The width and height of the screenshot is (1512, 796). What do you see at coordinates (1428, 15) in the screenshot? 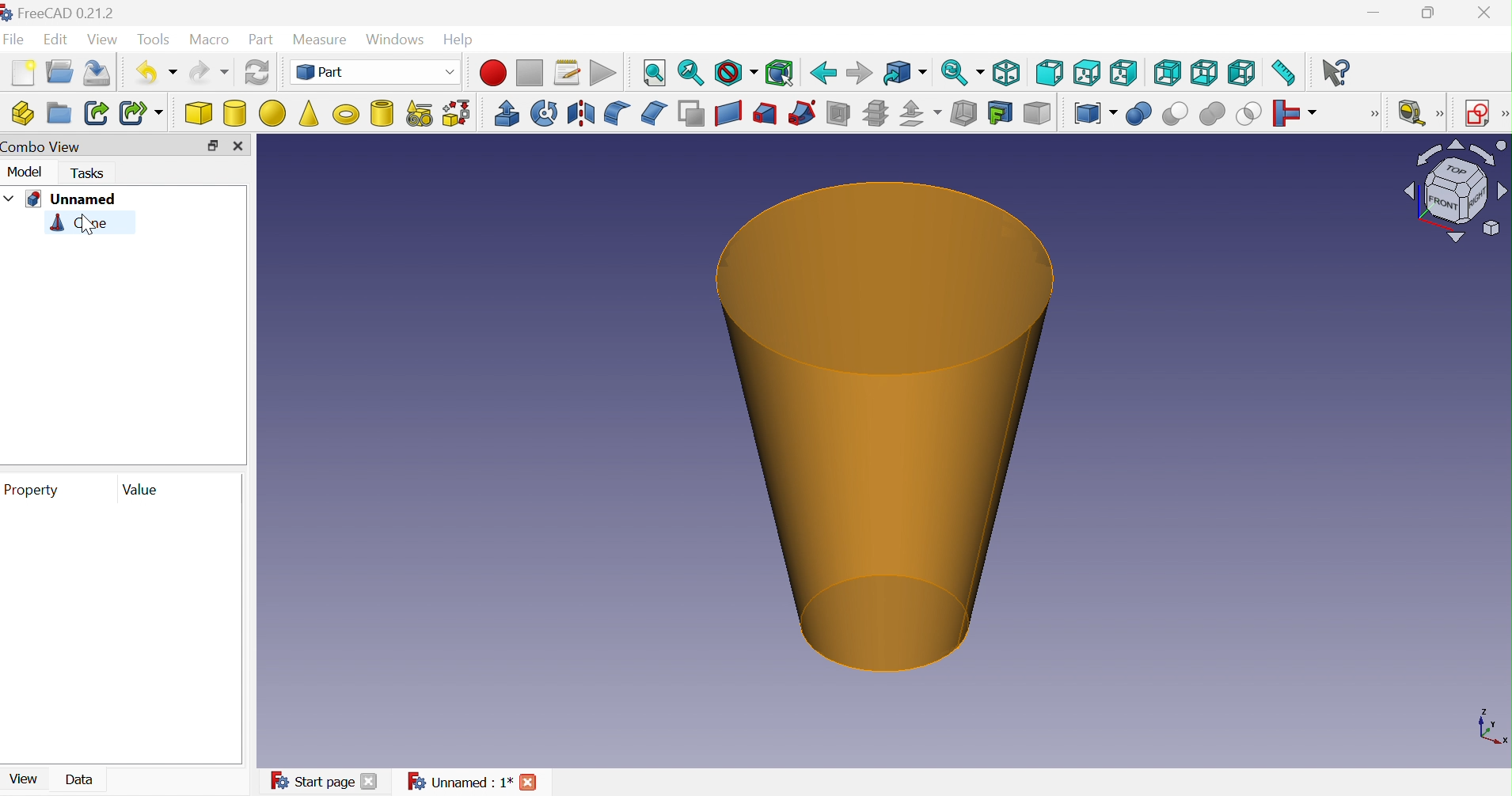
I see `Restore down` at bounding box center [1428, 15].